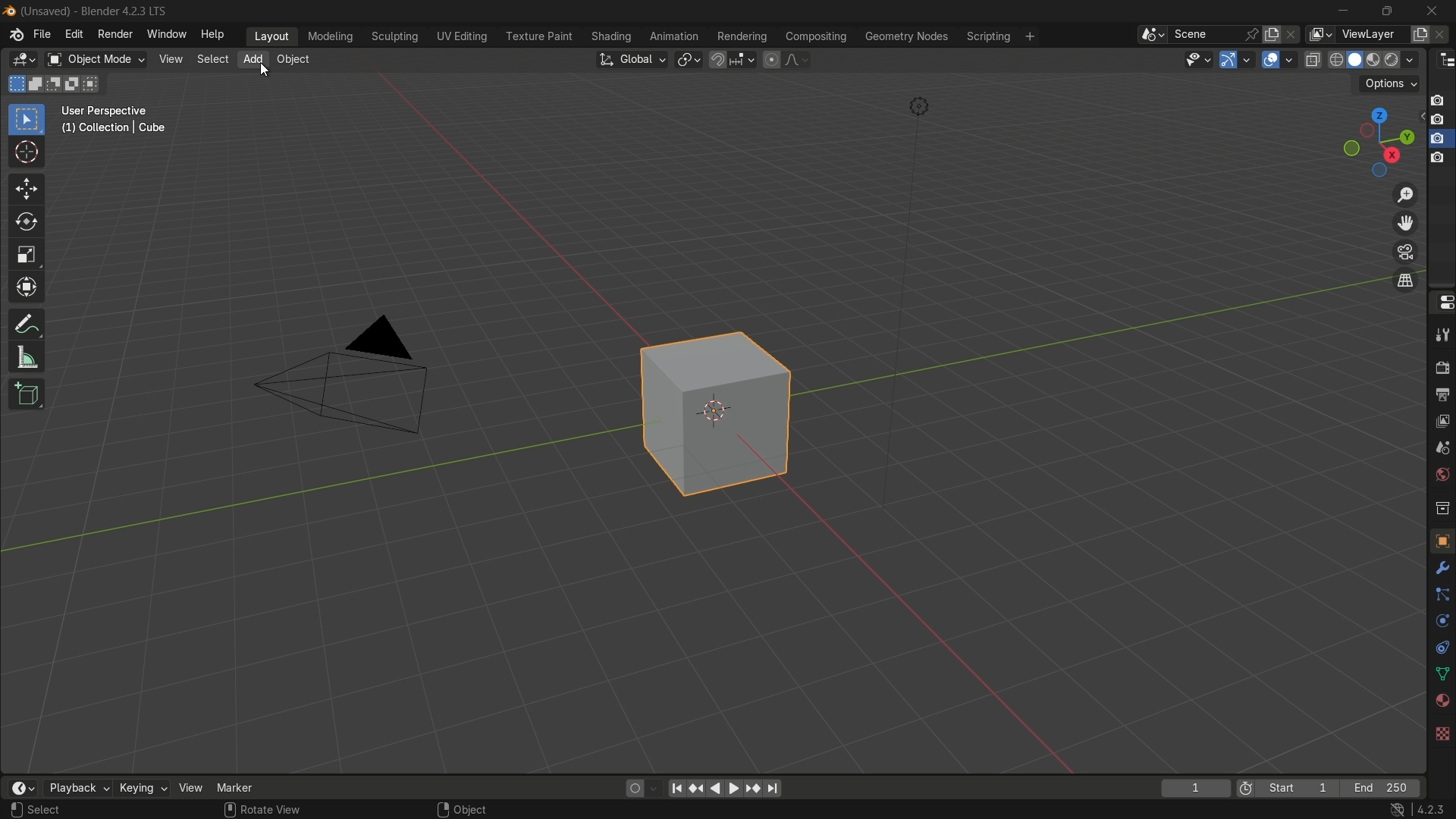 This screenshot has height=819, width=1456. Describe the element at coordinates (1441, 507) in the screenshot. I see `collection` at that location.